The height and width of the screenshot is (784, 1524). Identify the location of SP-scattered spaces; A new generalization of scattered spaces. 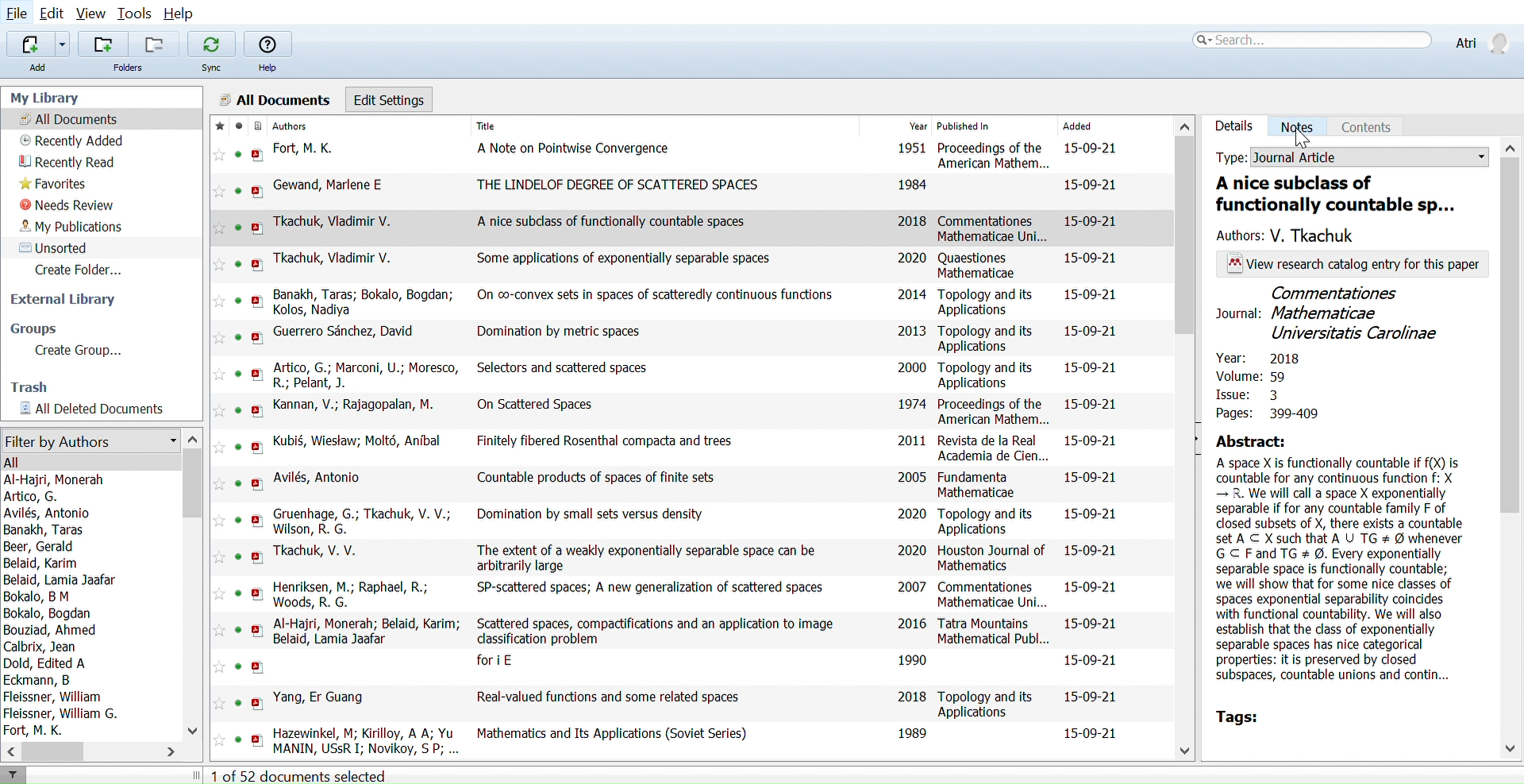
(652, 589).